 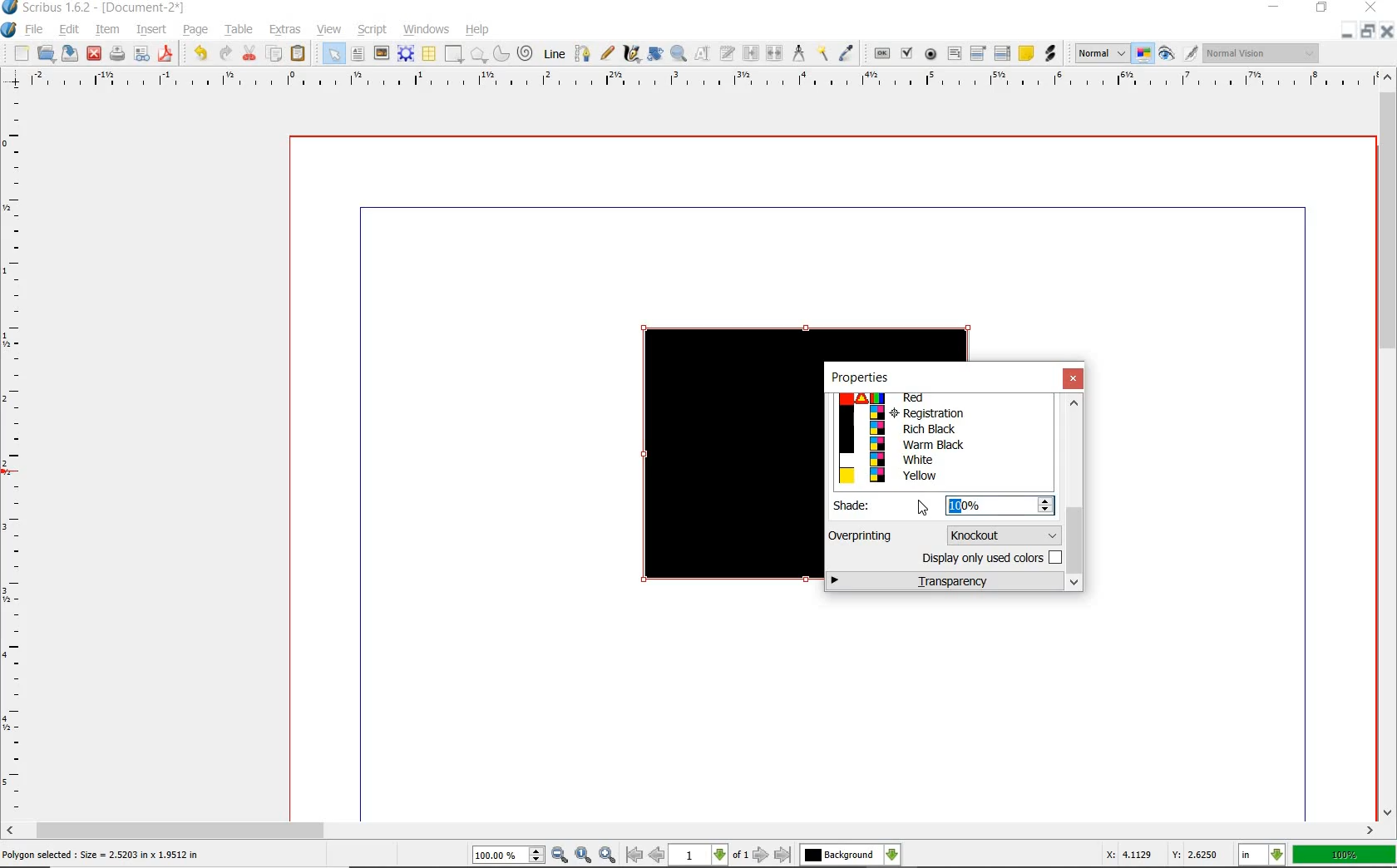 What do you see at coordinates (749, 55) in the screenshot?
I see `link text frames` at bounding box center [749, 55].